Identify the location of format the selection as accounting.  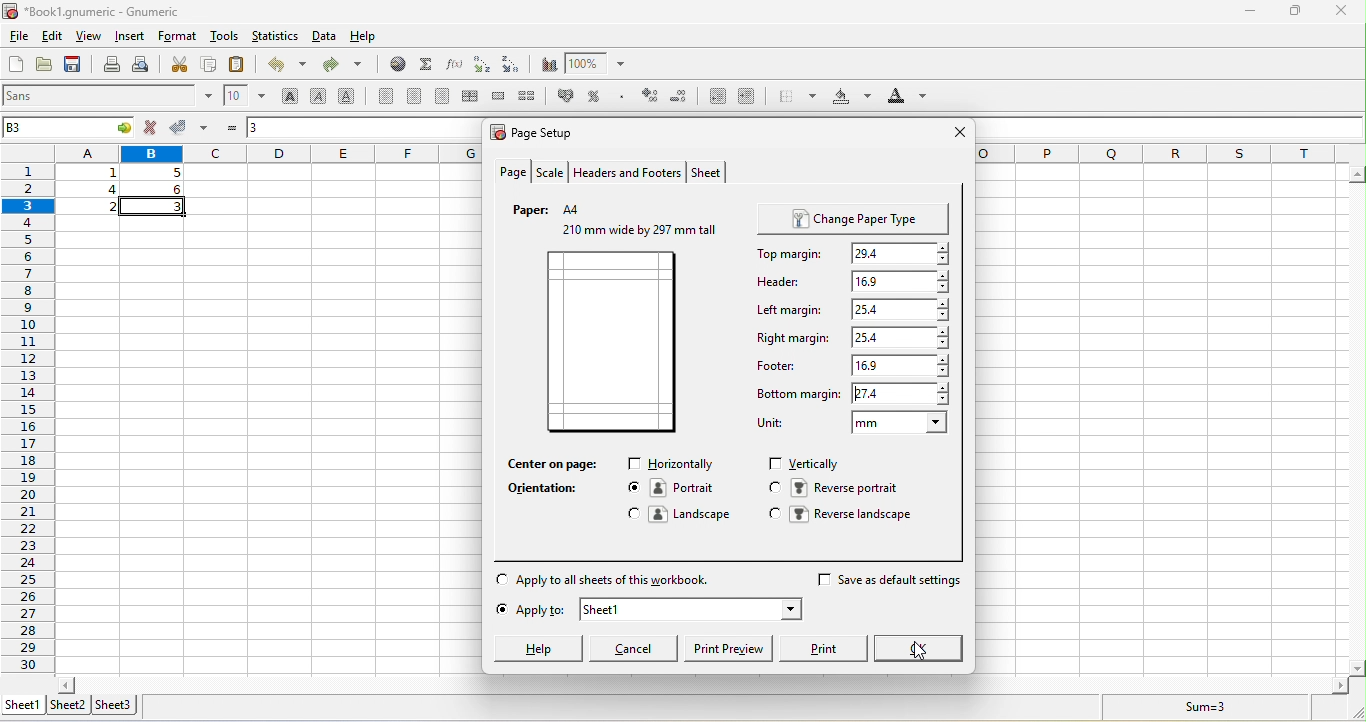
(568, 95).